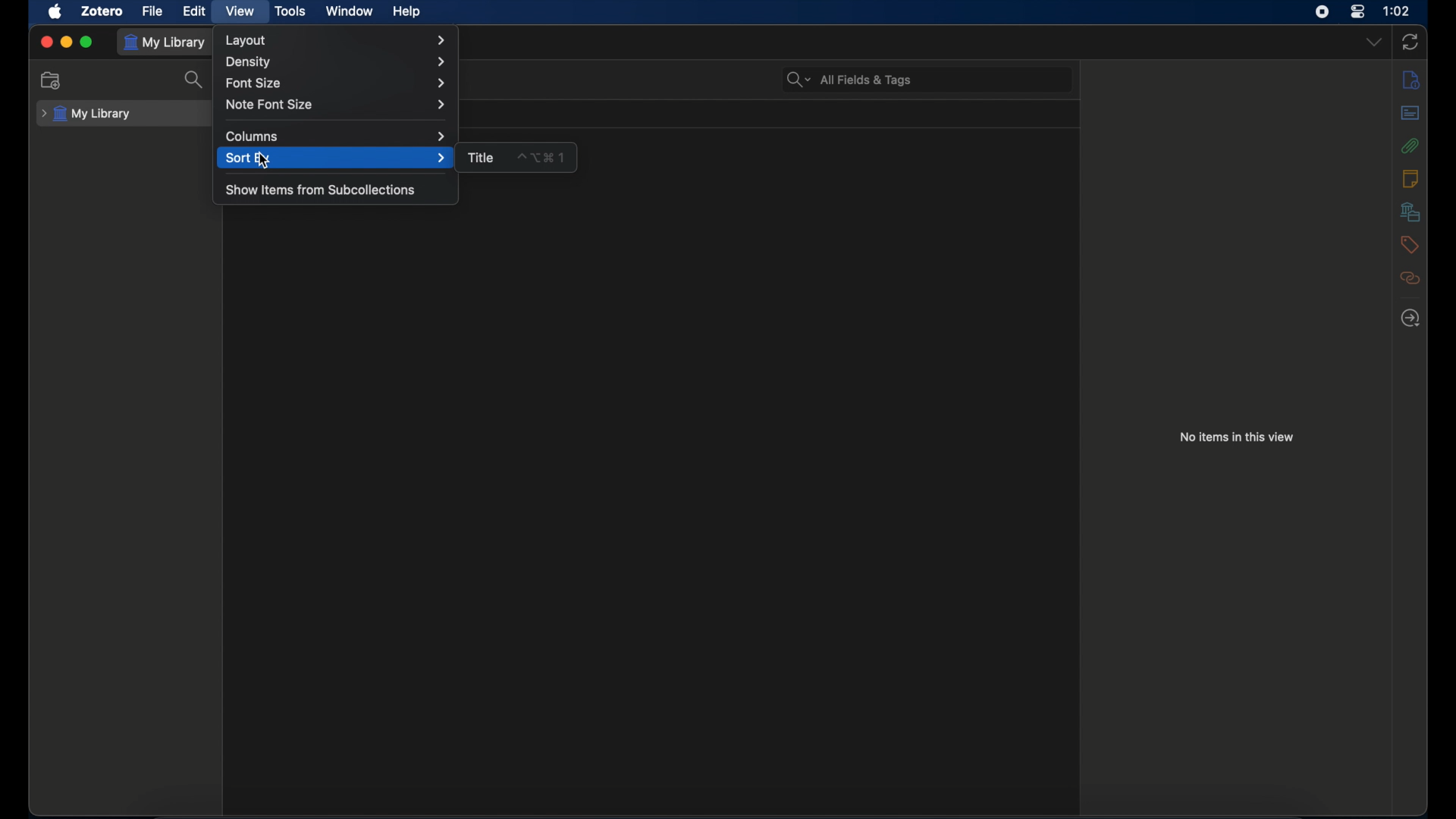 Image resolution: width=1456 pixels, height=819 pixels. I want to click on edit, so click(195, 11).